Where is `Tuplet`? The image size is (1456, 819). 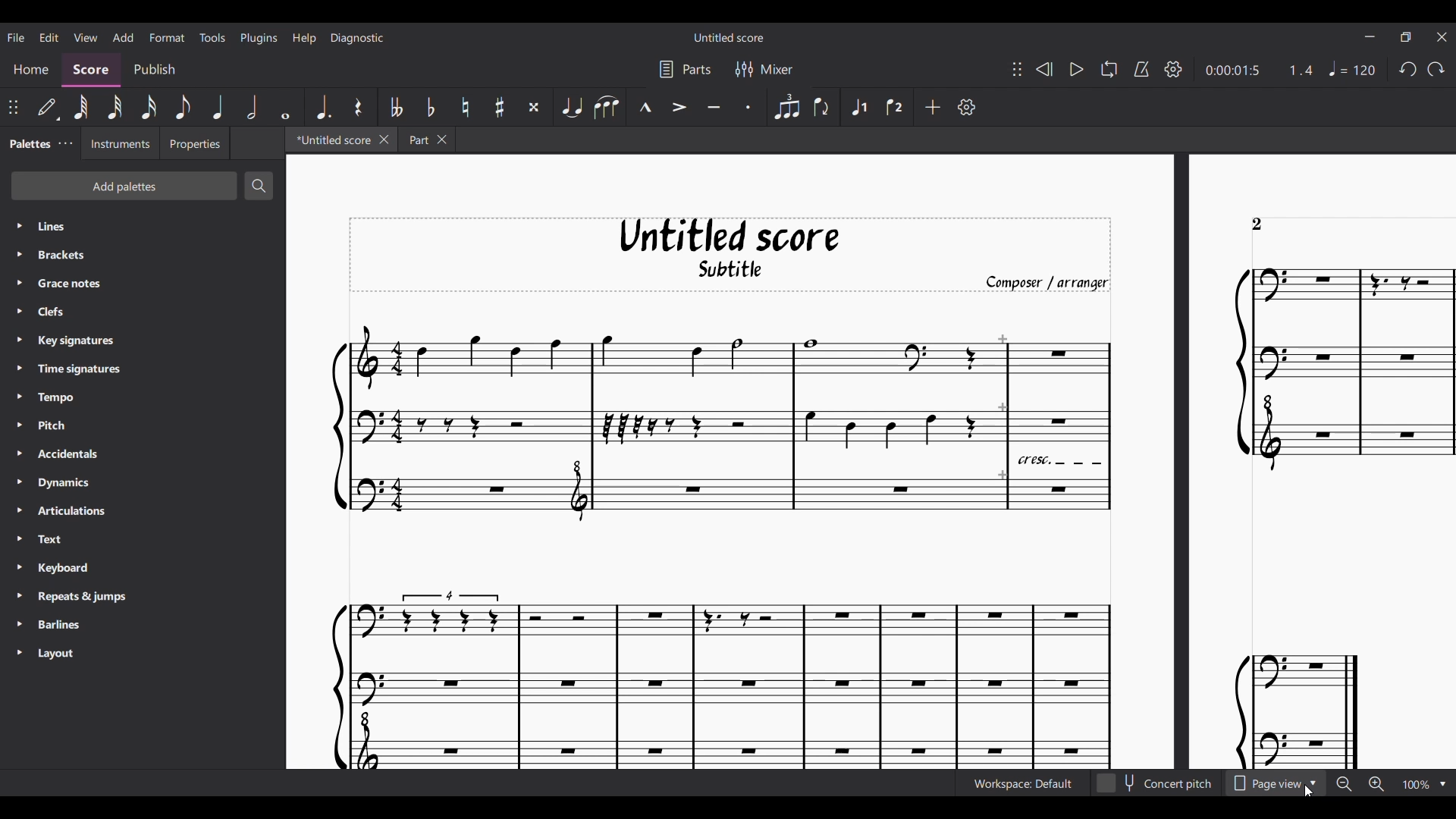
Tuplet is located at coordinates (786, 106).